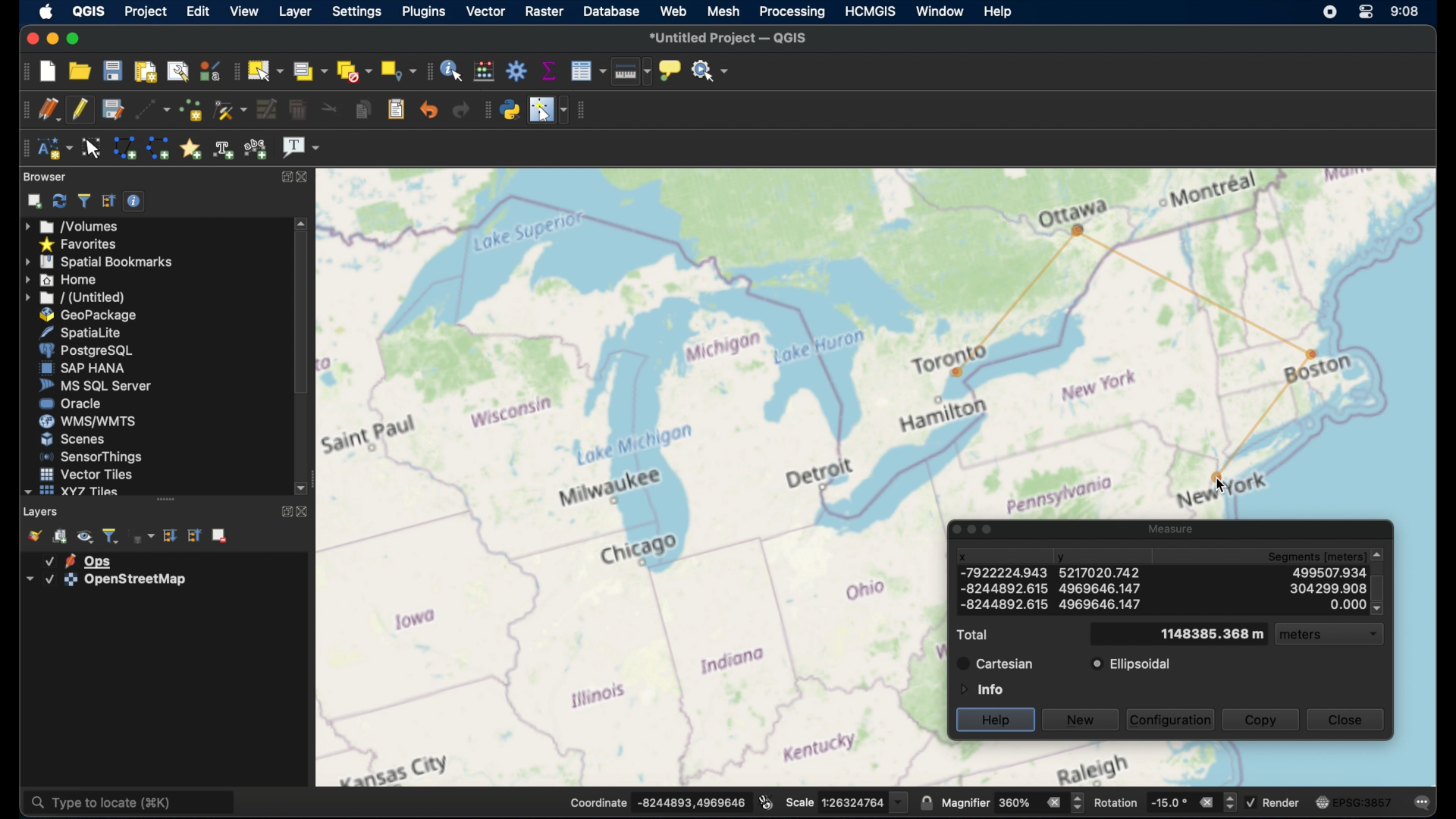  I want to click on xyzzy tiles, so click(71, 491).